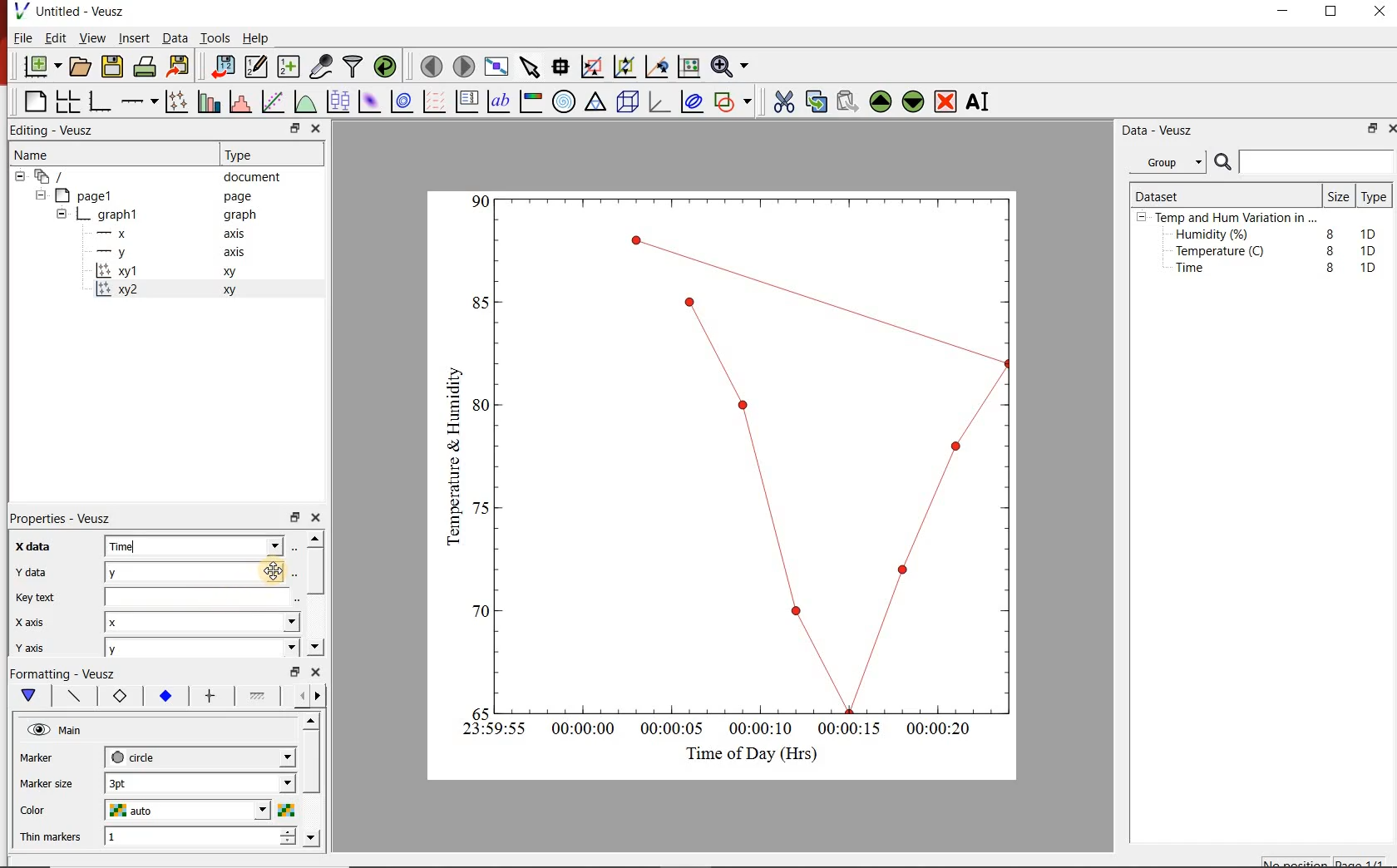 The height and width of the screenshot is (868, 1397). Describe the element at coordinates (239, 235) in the screenshot. I see `axis` at that location.